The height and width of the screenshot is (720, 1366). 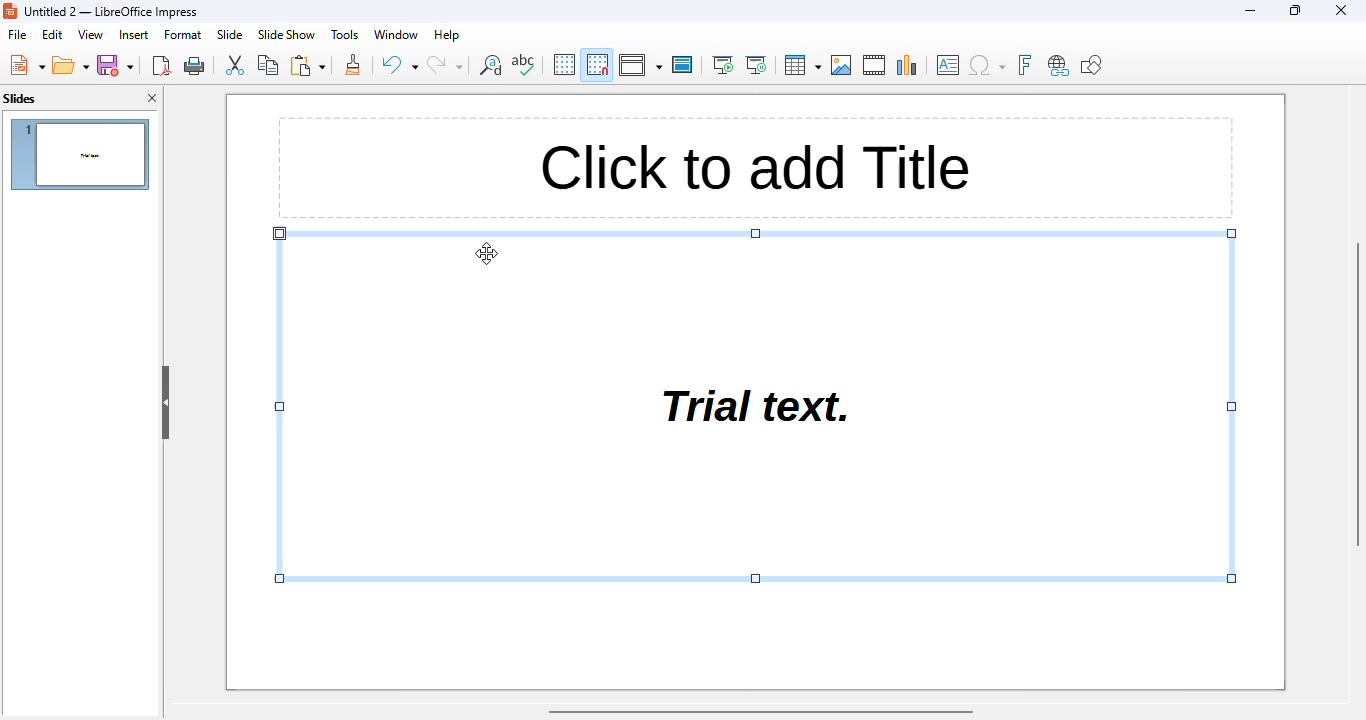 What do you see at coordinates (723, 64) in the screenshot?
I see `start from first slide` at bounding box center [723, 64].